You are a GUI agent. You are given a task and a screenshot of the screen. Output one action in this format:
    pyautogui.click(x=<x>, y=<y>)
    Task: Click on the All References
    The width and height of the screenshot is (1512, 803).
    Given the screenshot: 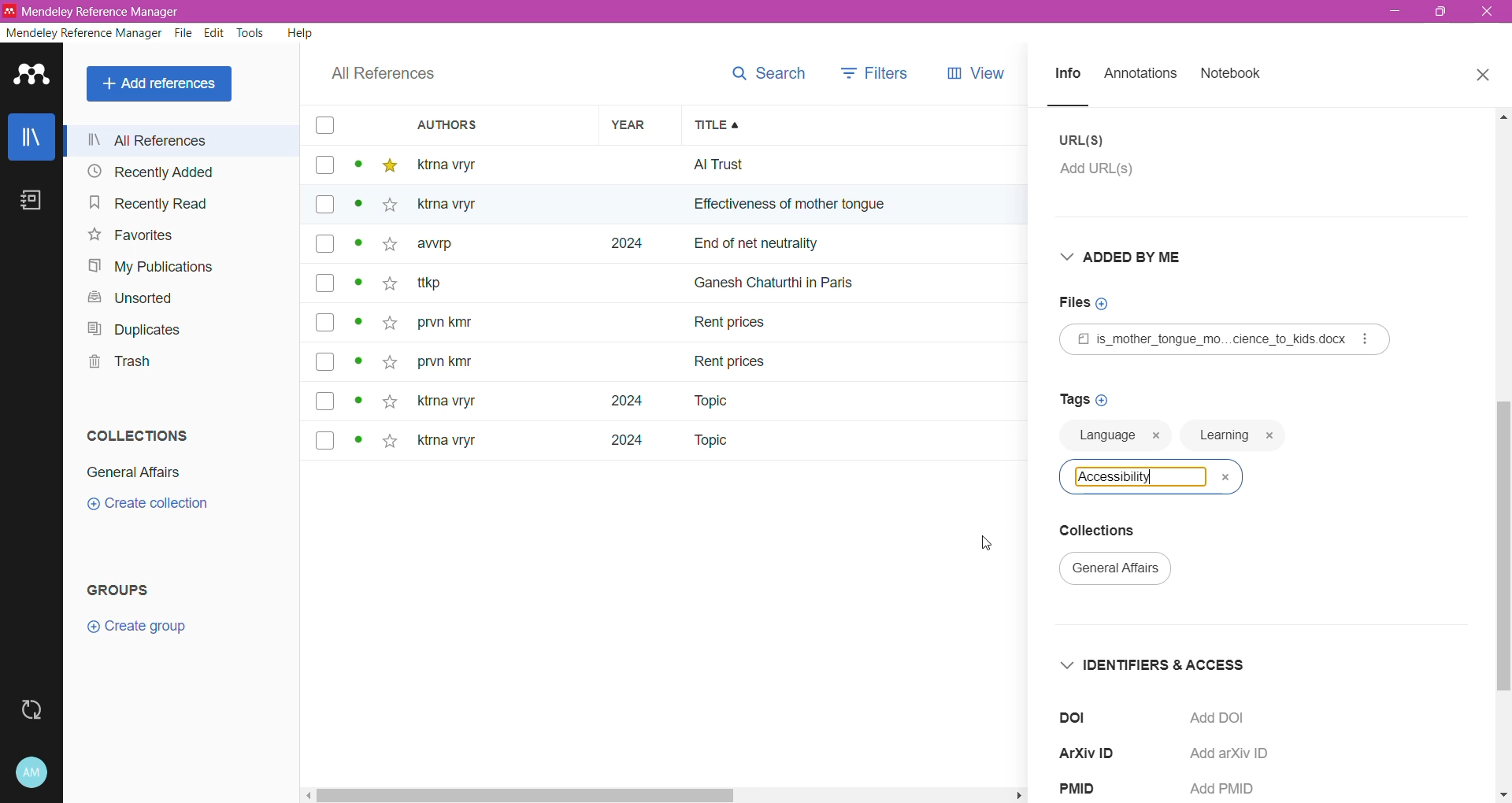 What is the action you would take?
    pyautogui.click(x=183, y=140)
    